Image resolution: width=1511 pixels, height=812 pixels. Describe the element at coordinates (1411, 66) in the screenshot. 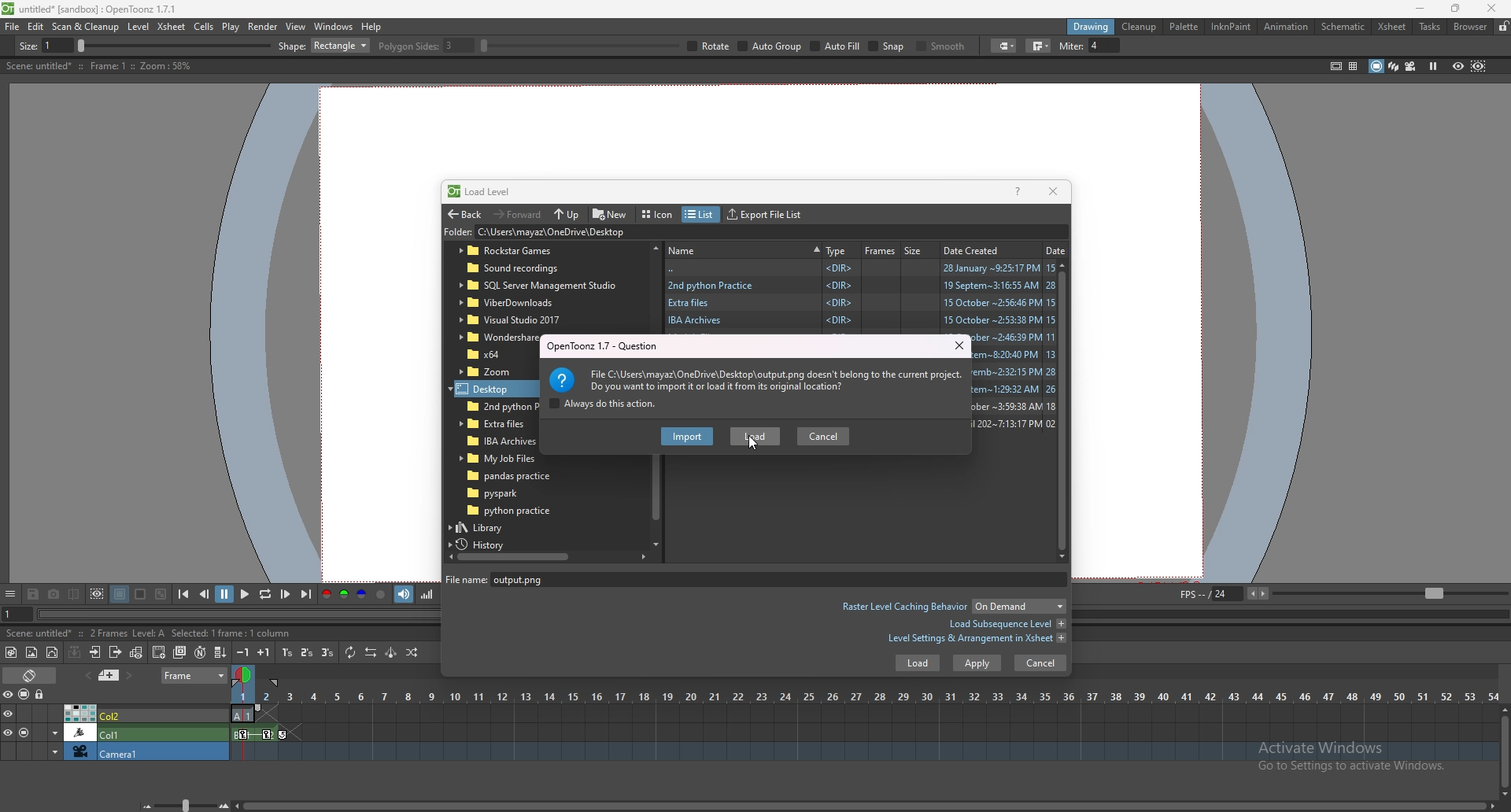

I see `camera view` at that location.